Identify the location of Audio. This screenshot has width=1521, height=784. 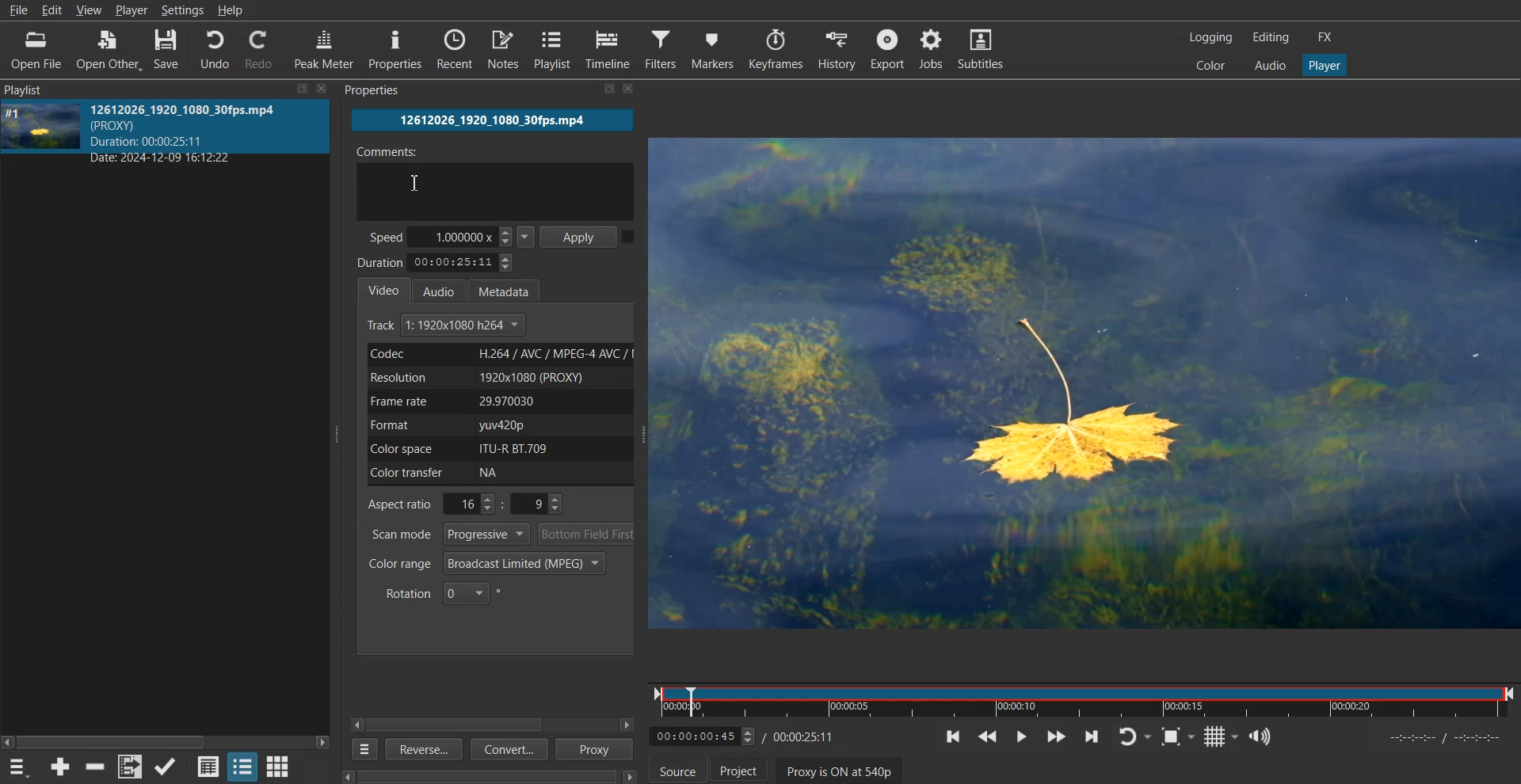
(1268, 65).